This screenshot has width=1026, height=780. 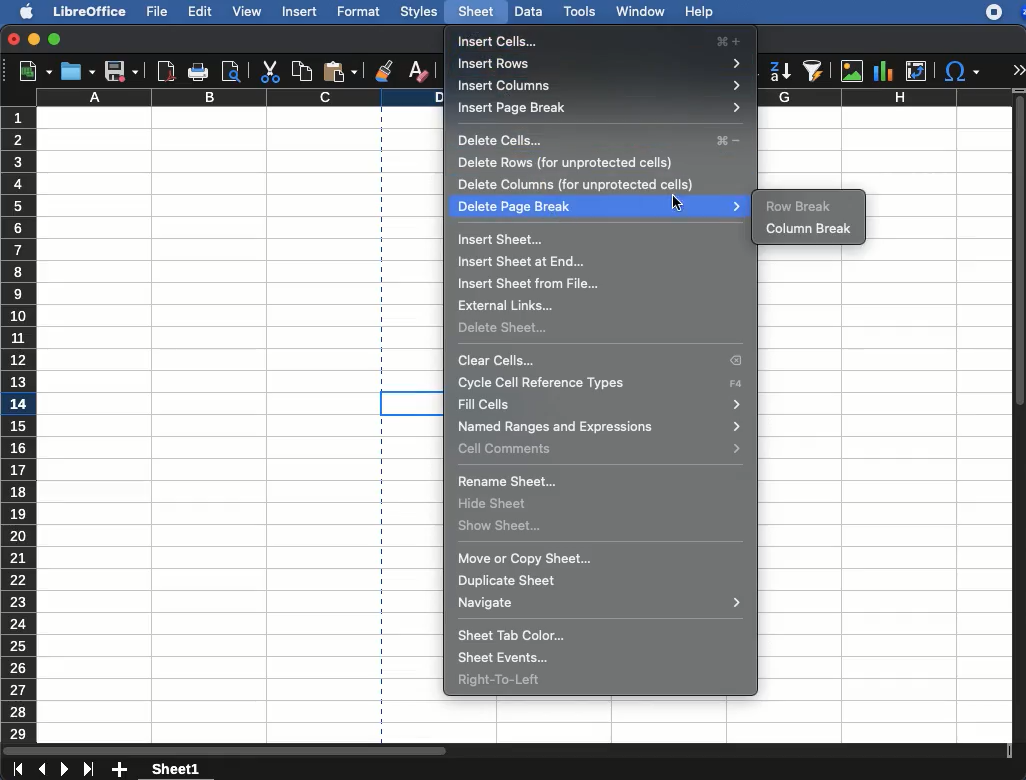 I want to click on right to left, so click(x=501, y=681).